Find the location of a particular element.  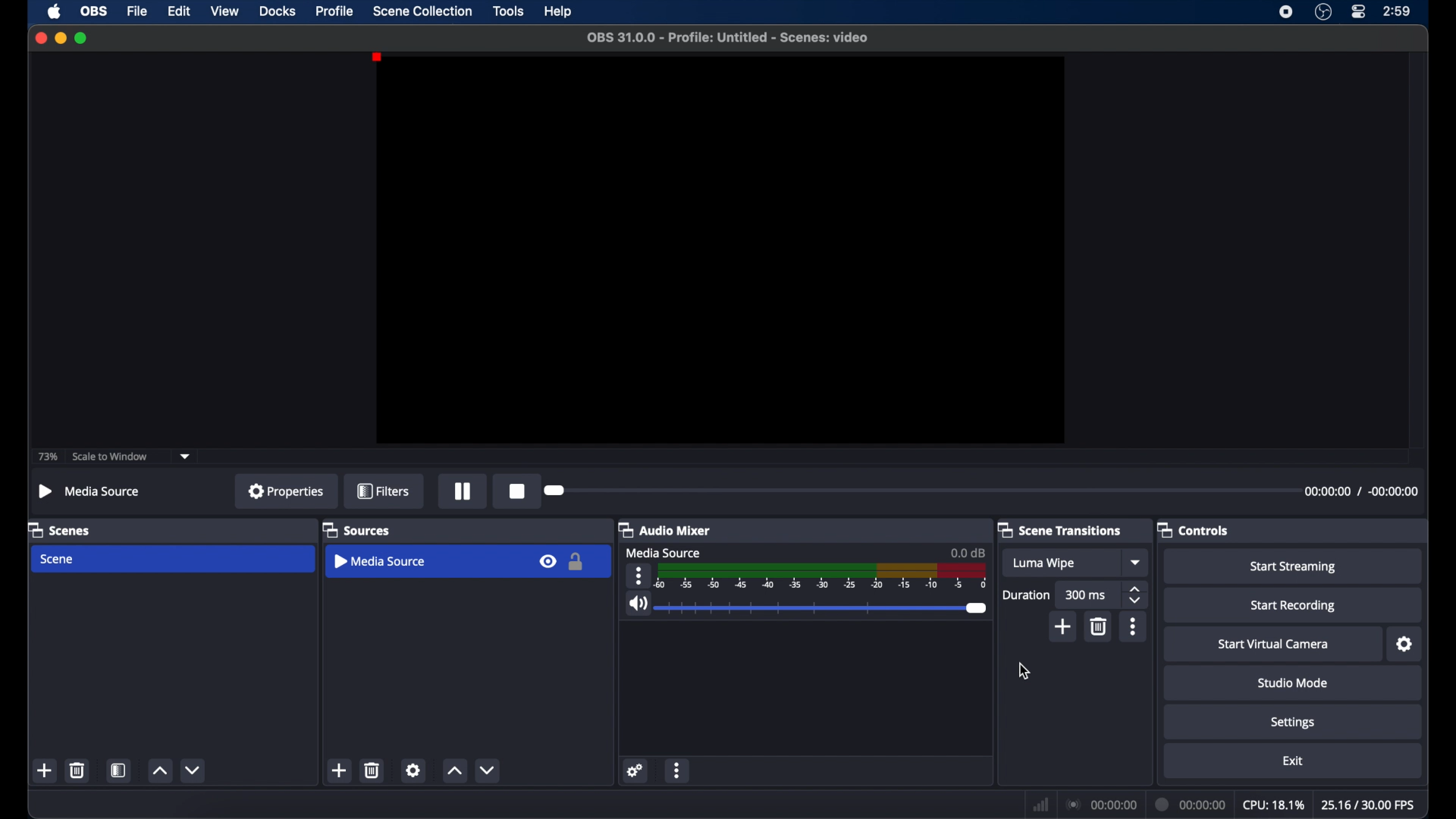

minimize is located at coordinates (60, 38).